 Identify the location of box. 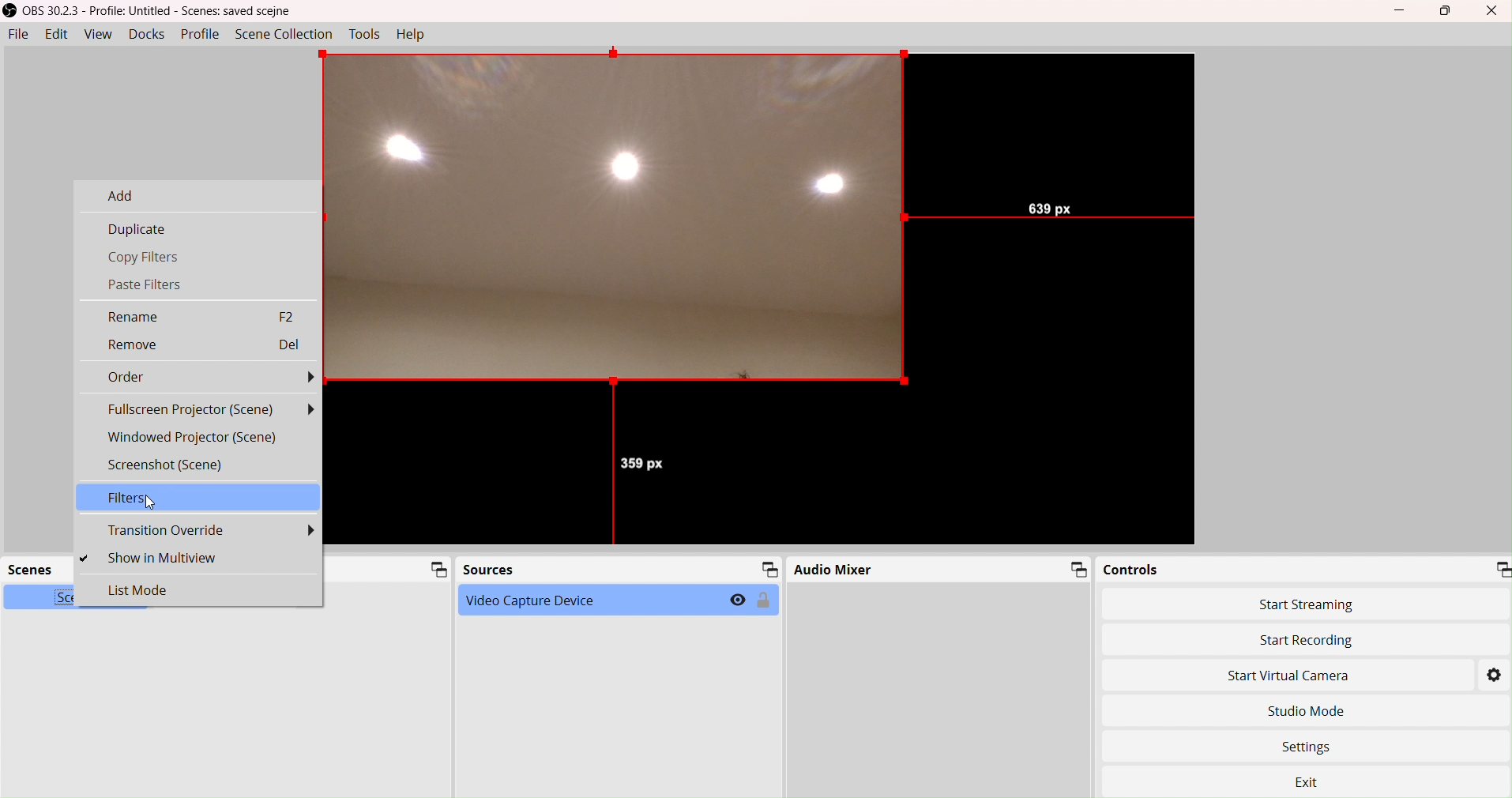
(1448, 12).